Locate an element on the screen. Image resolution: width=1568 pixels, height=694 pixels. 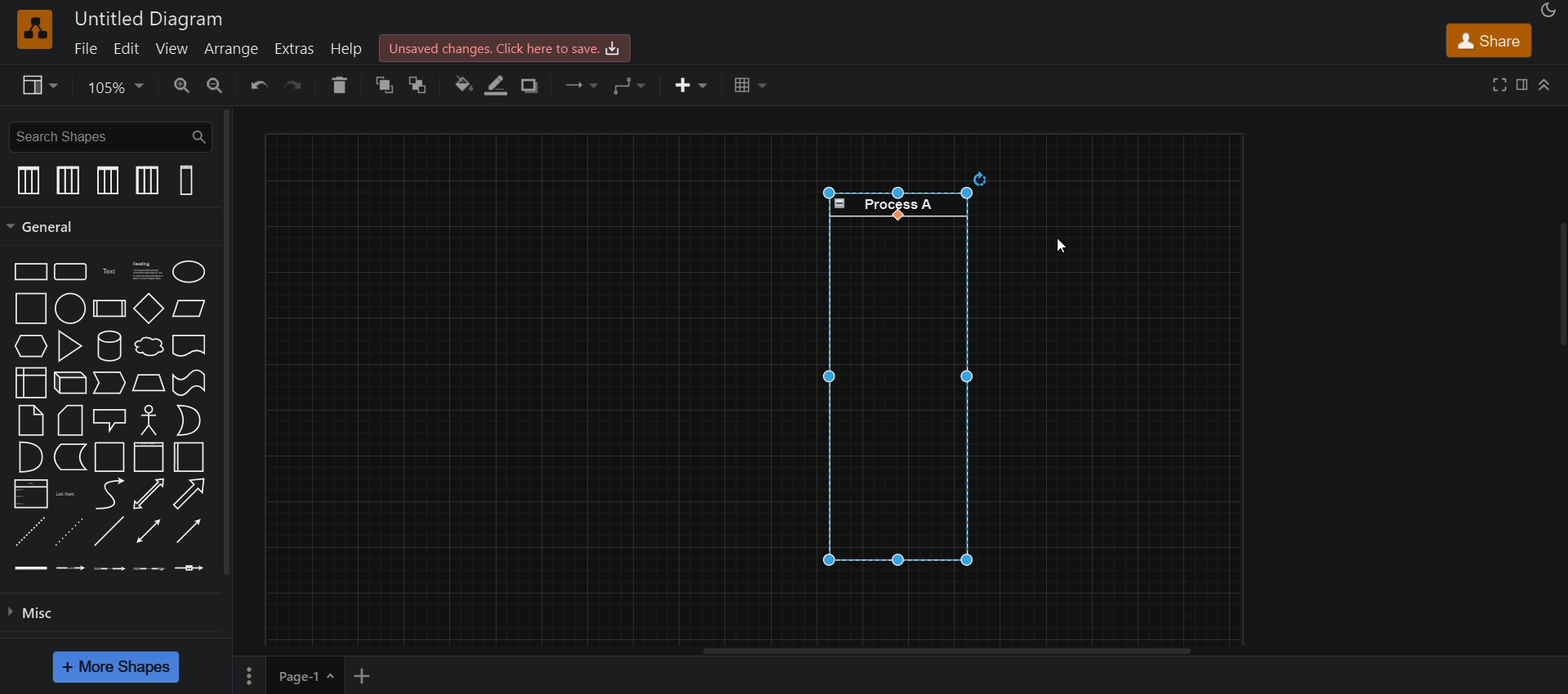
zoom is located at coordinates (116, 88).